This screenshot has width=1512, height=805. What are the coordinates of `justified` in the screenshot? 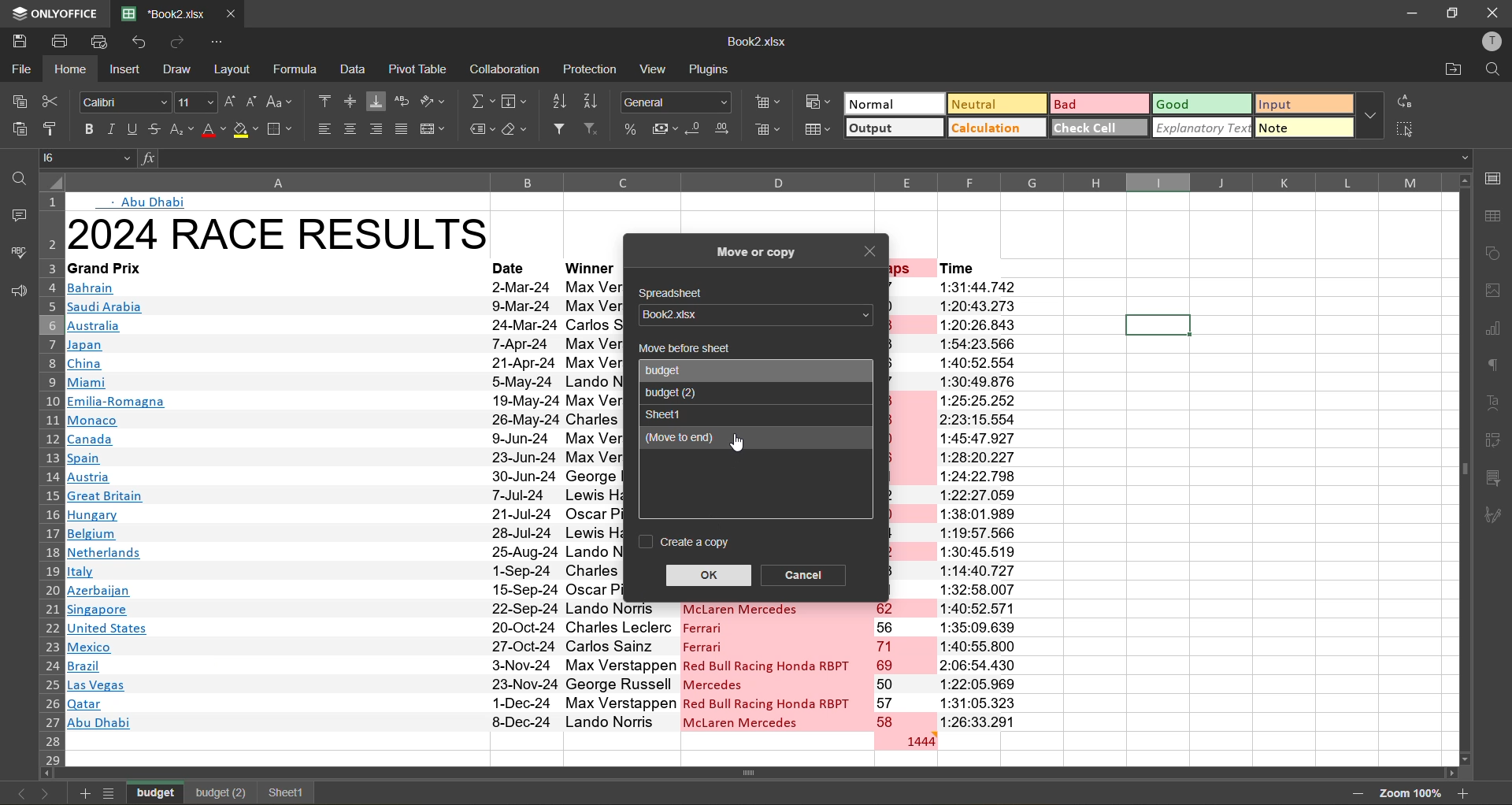 It's located at (403, 129).